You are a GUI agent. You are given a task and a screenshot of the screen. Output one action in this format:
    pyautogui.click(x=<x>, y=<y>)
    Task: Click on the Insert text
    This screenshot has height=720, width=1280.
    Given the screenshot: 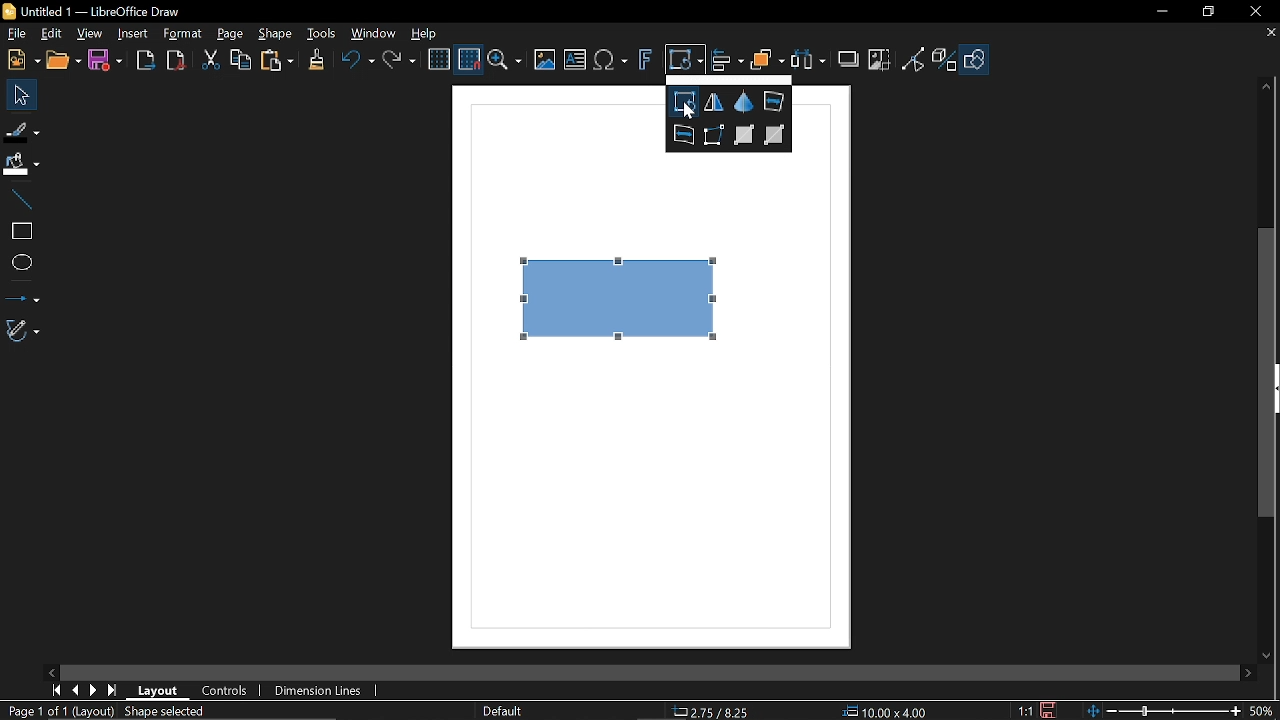 What is the action you would take?
    pyautogui.click(x=576, y=61)
    